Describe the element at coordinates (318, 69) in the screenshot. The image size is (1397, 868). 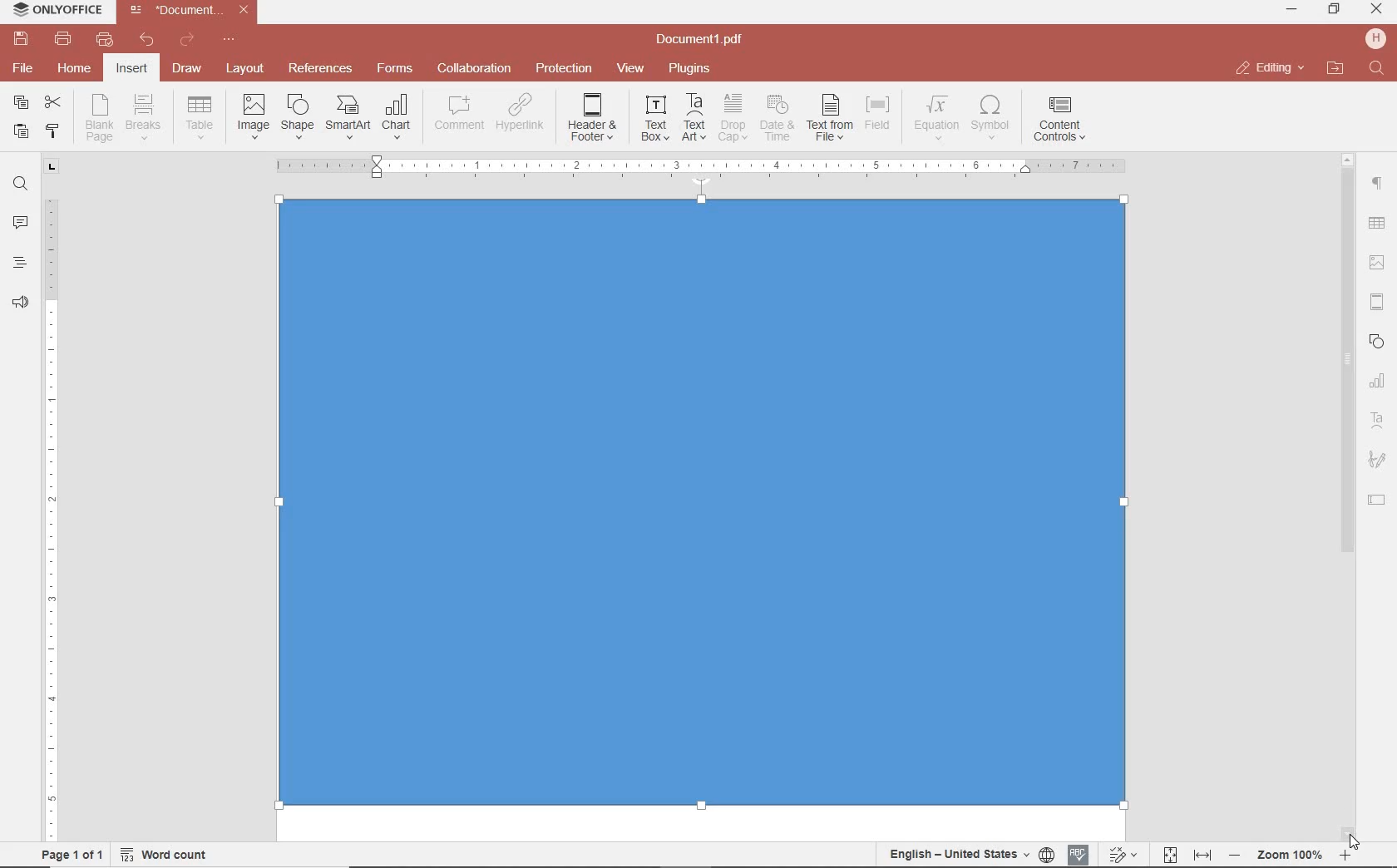
I see `reference` at that location.